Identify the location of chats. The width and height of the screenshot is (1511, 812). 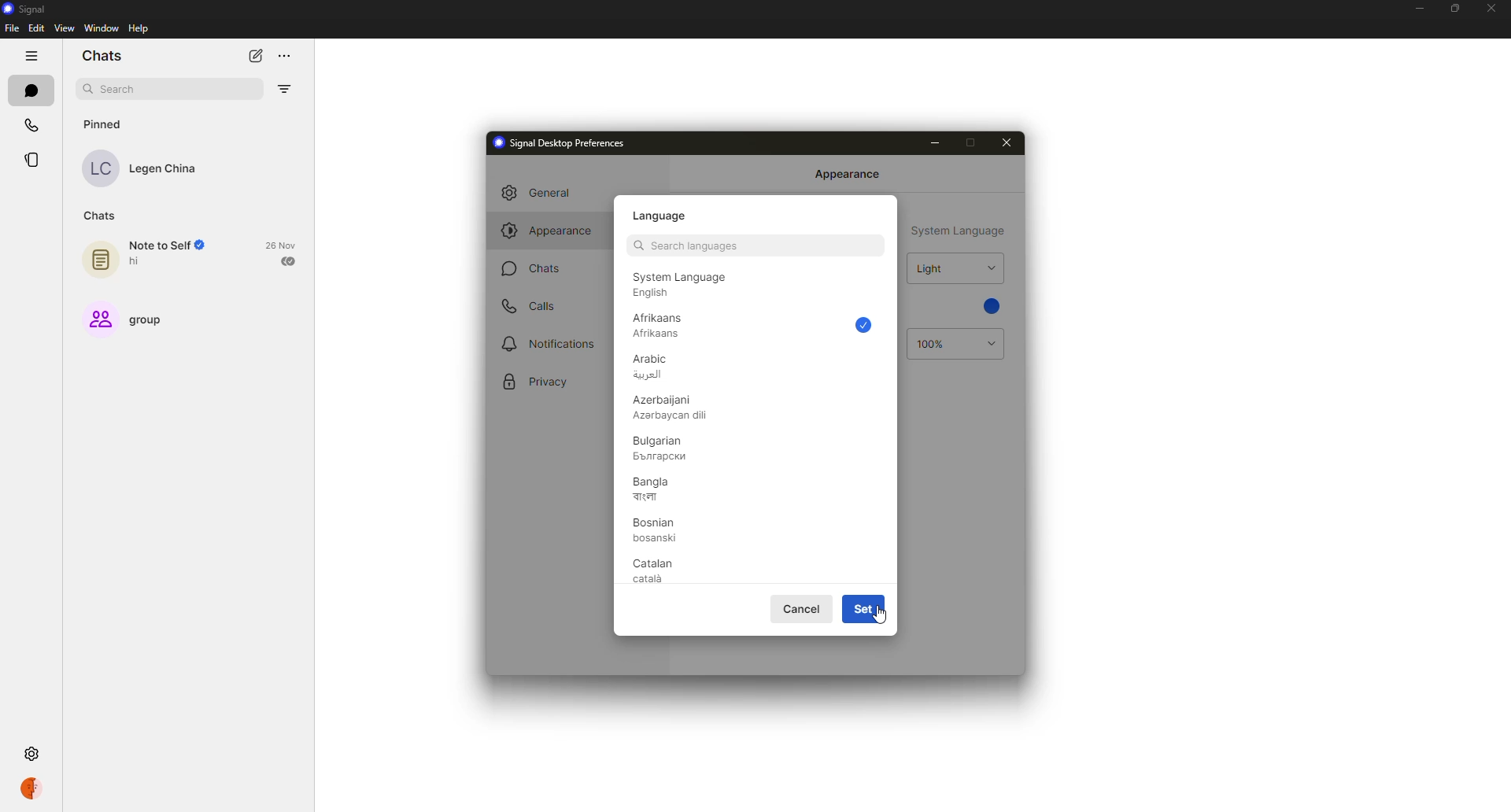
(534, 268).